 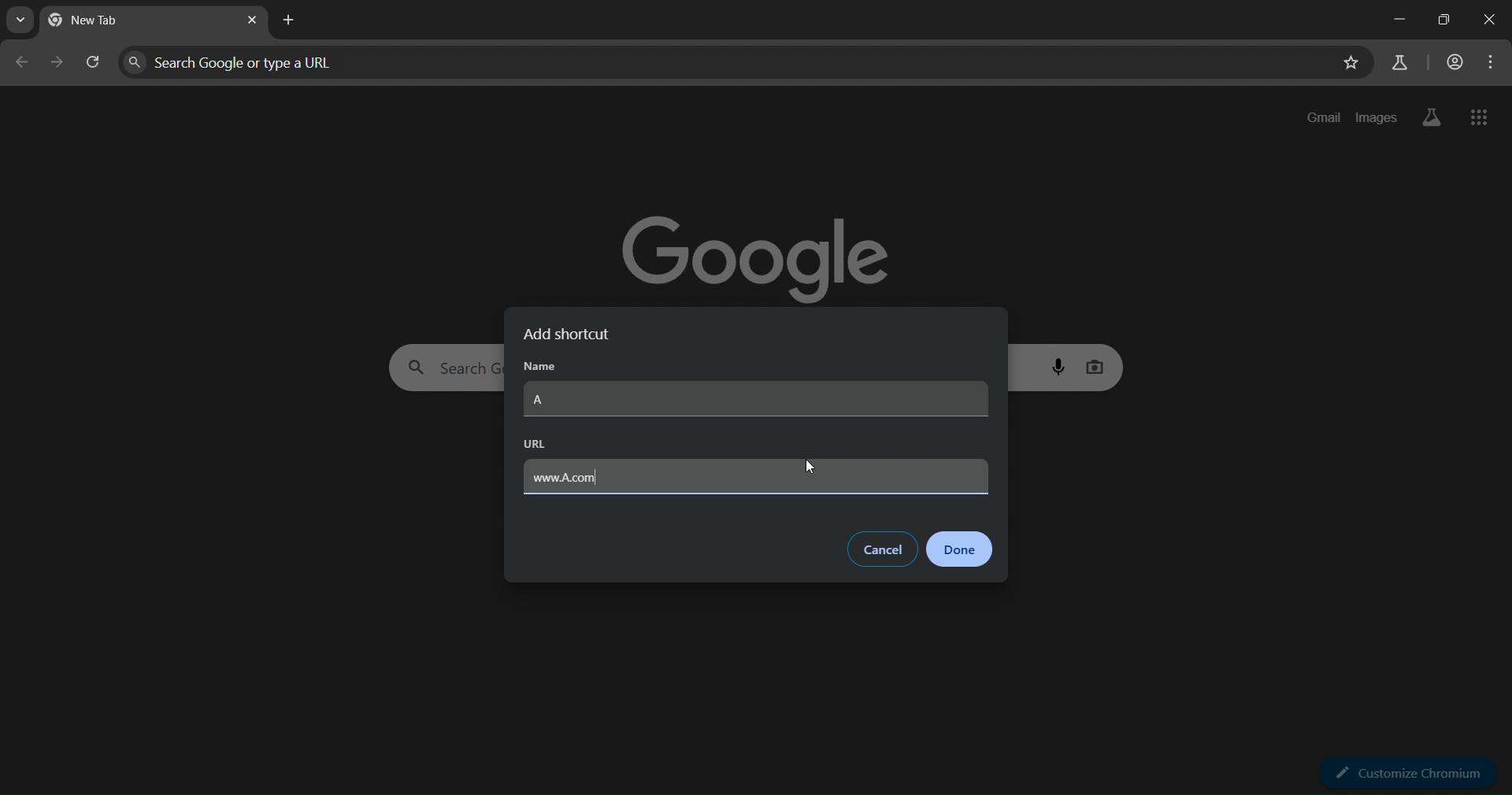 What do you see at coordinates (1492, 62) in the screenshot?
I see `menu` at bounding box center [1492, 62].